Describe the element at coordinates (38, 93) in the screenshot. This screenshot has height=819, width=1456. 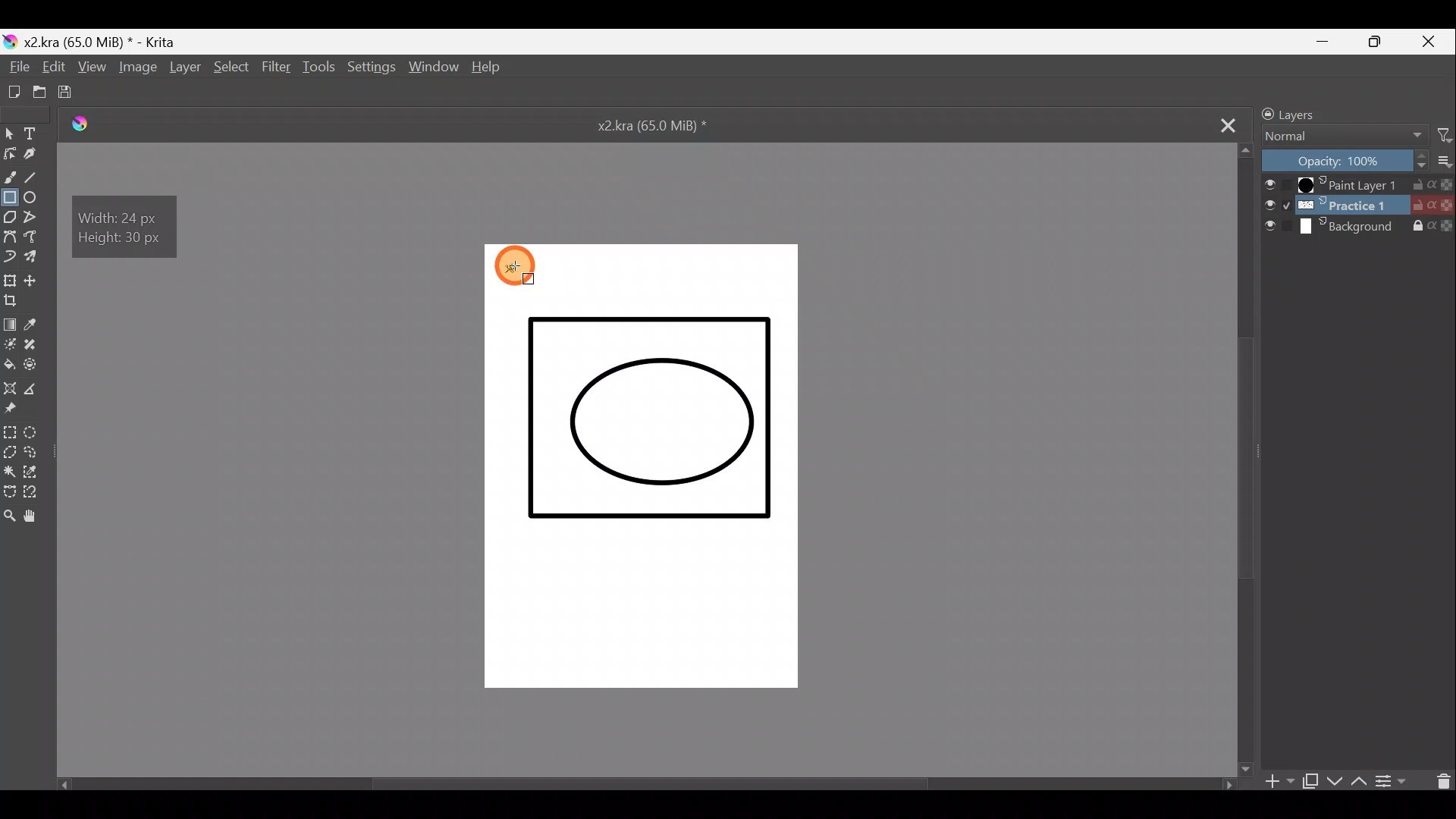
I see `Open an existing document` at that location.